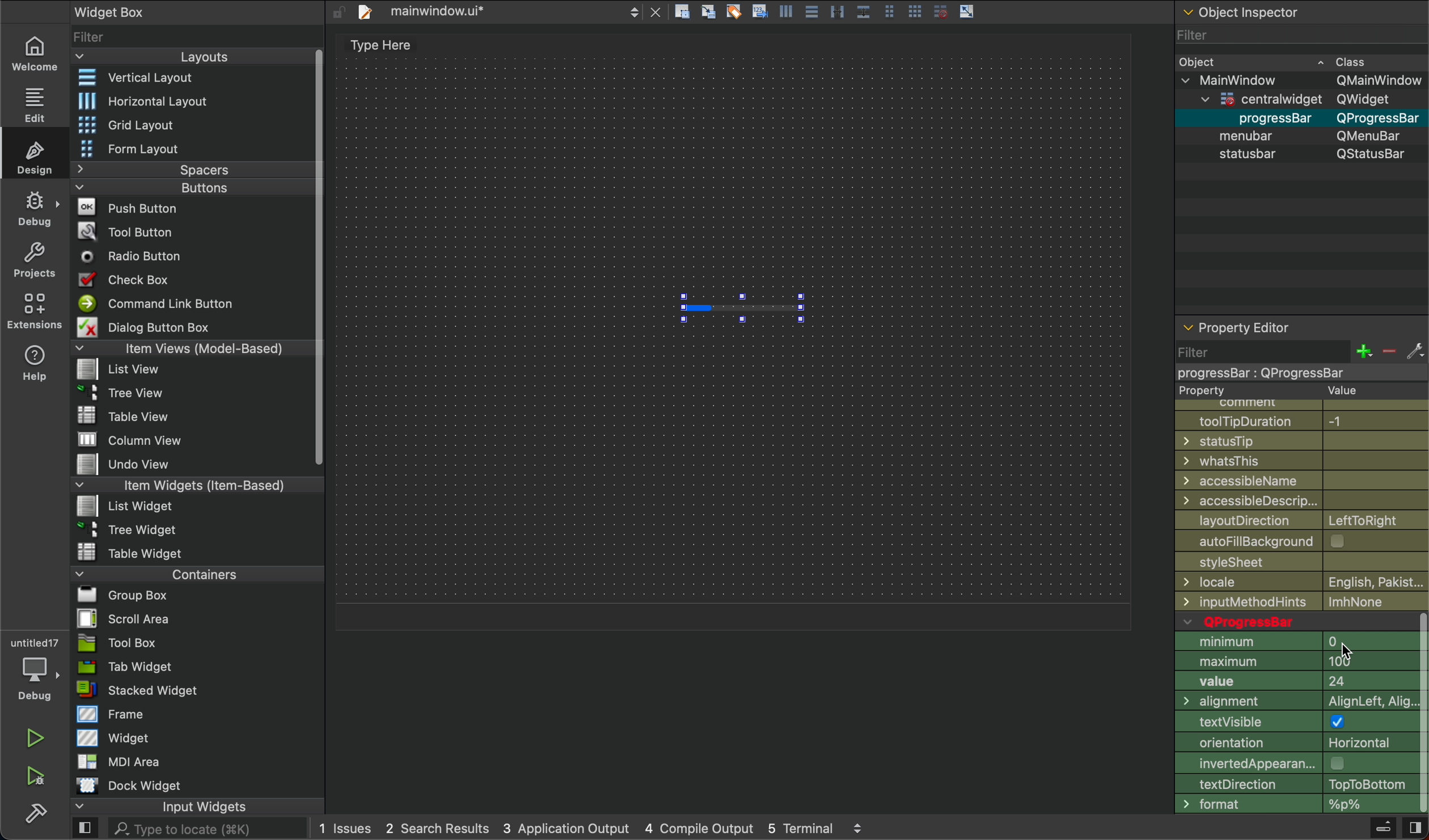 Image resolution: width=1429 pixels, height=840 pixels. Describe the element at coordinates (37, 776) in the screenshot. I see `run and debug` at that location.